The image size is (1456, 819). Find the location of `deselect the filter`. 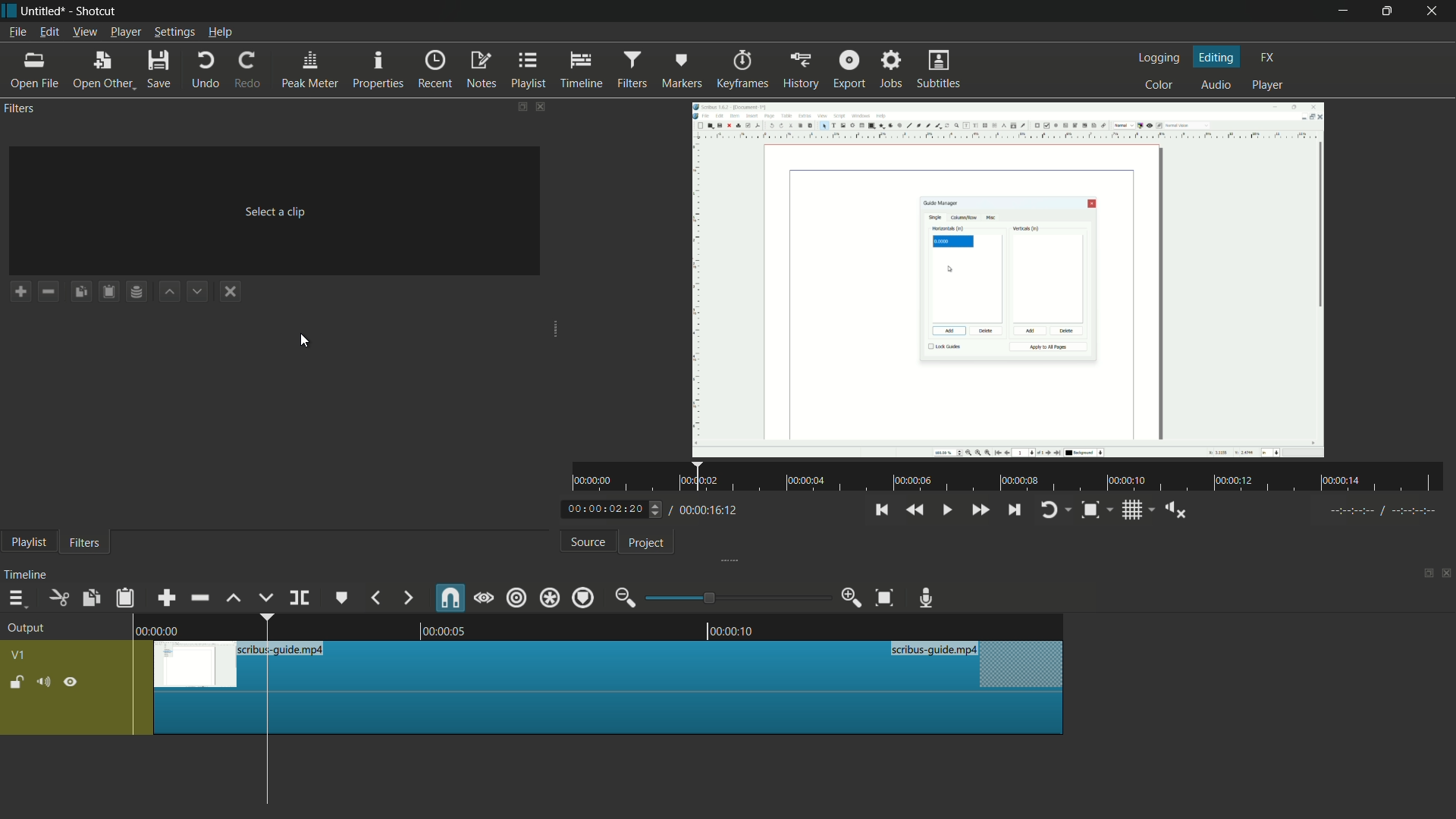

deselect the filter is located at coordinates (227, 293).